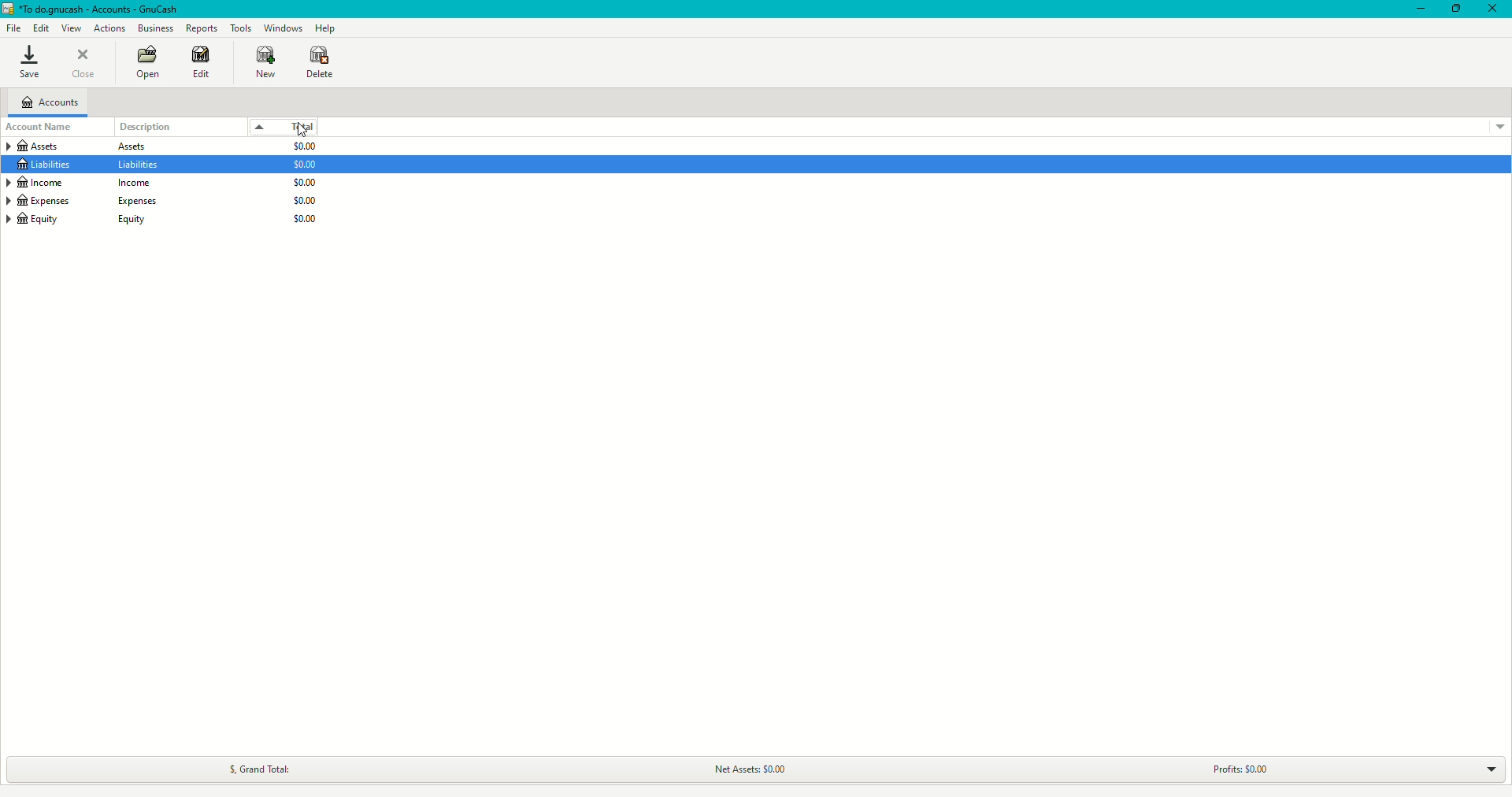 This screenshot has width=1512, height=797. What do you see at coordinates (89, 220) in the screenshot?
I see `equity` at bounding box center [89, 220].